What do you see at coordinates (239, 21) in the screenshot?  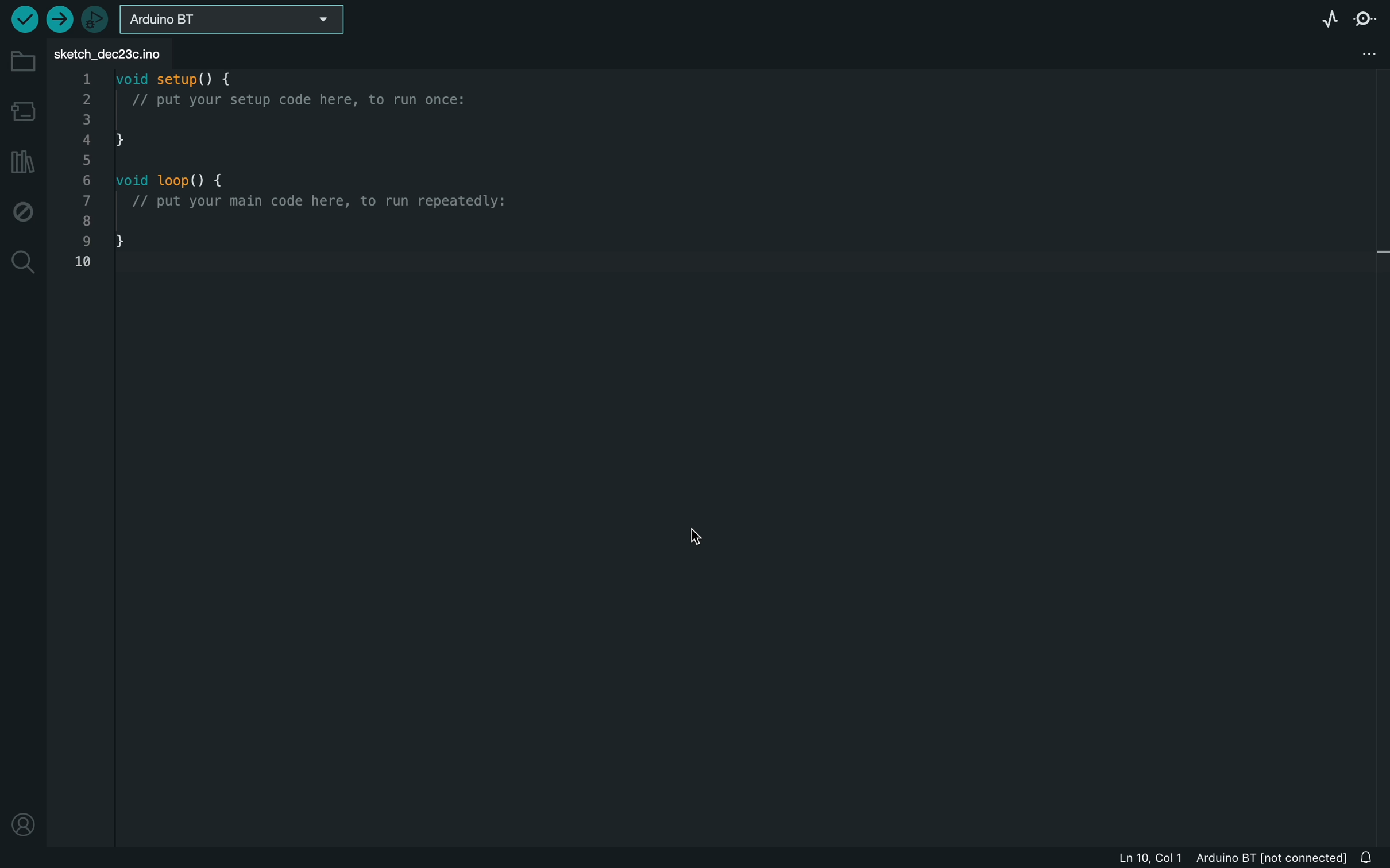 I see `board selecter` at bounding box center [239, 21].